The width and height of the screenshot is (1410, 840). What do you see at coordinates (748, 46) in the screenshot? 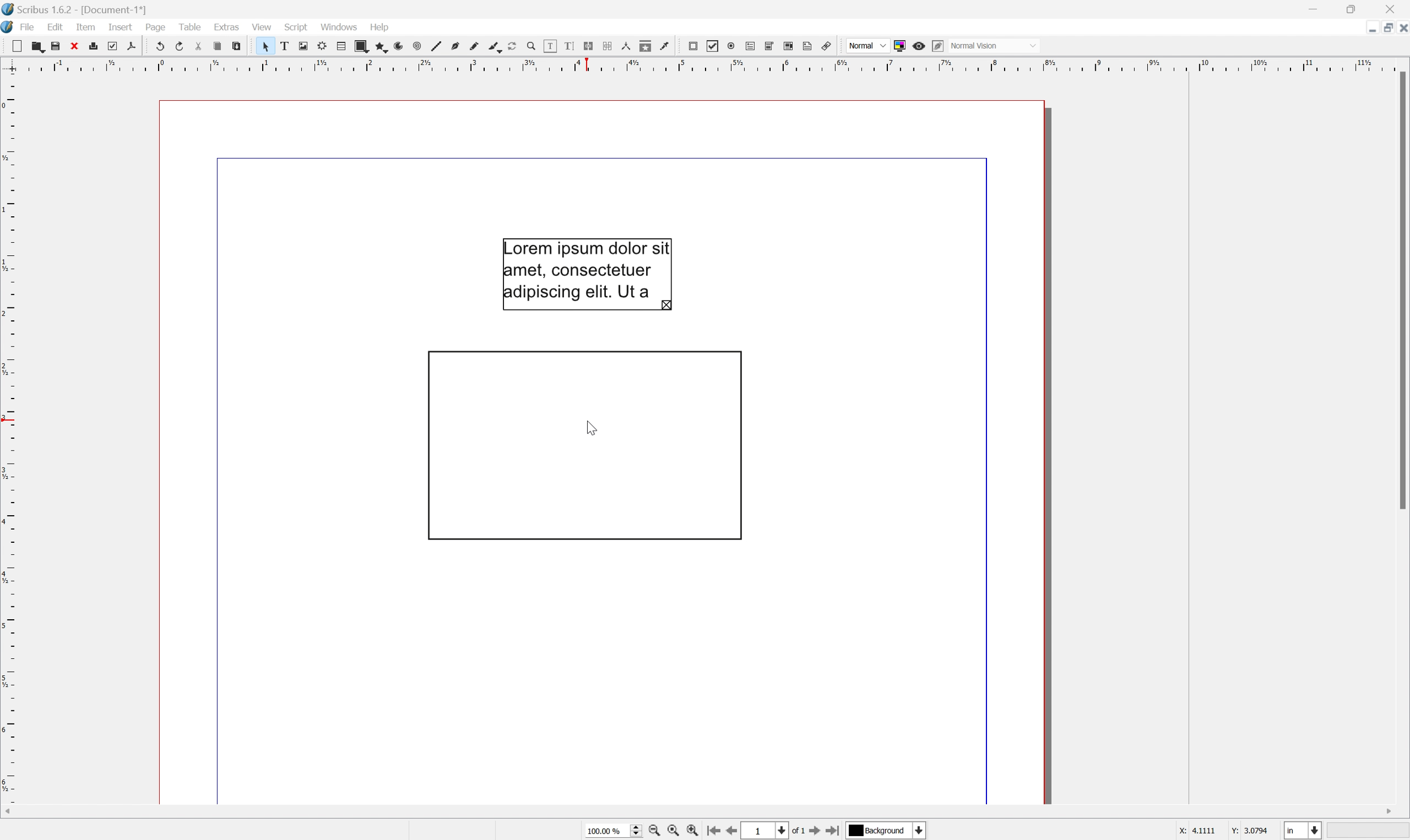
I see `PDF text field` at bounding box center [748, 46].